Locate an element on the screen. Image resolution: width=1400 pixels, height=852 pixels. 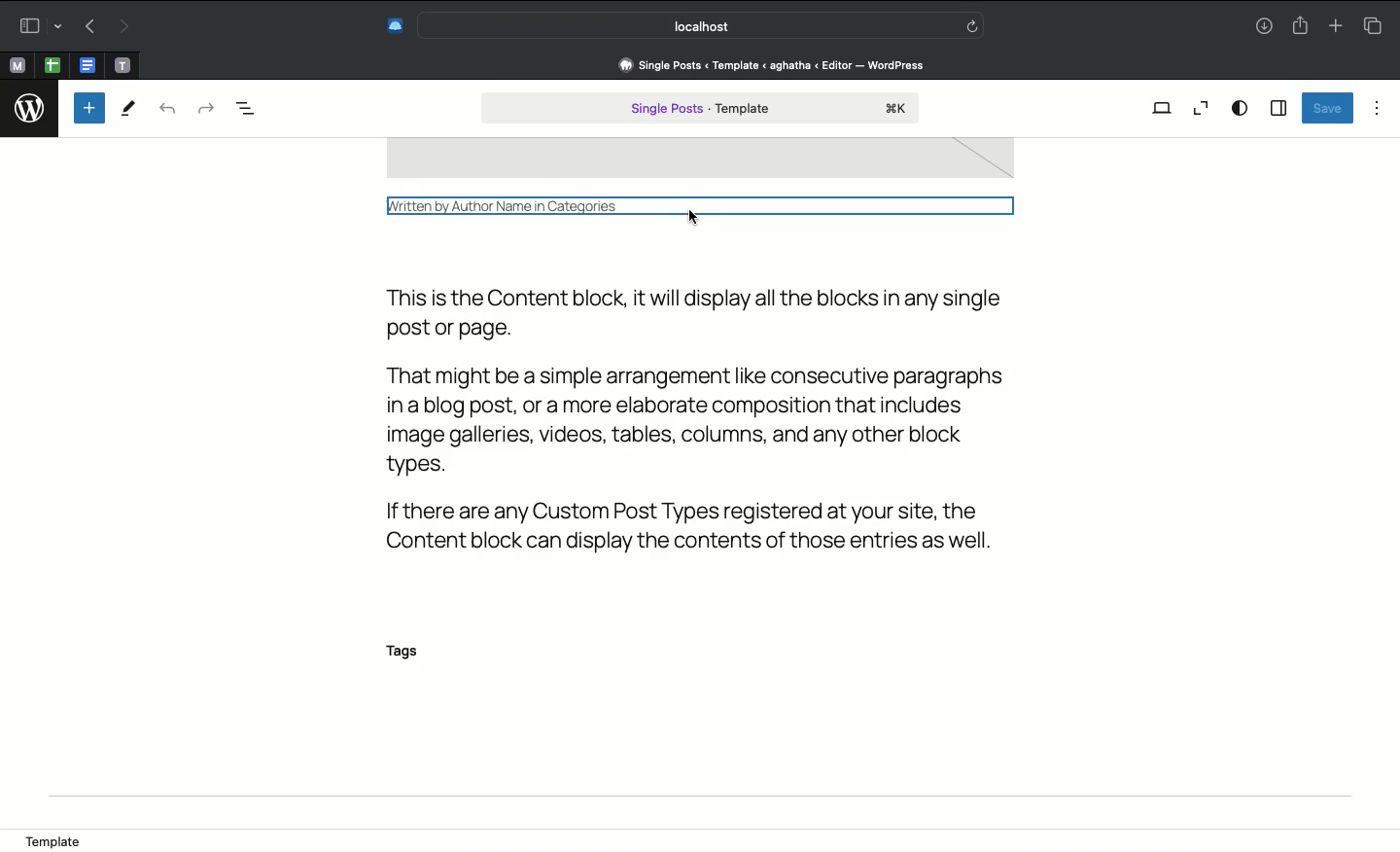
Search bar is located at coordinates (704, 25).